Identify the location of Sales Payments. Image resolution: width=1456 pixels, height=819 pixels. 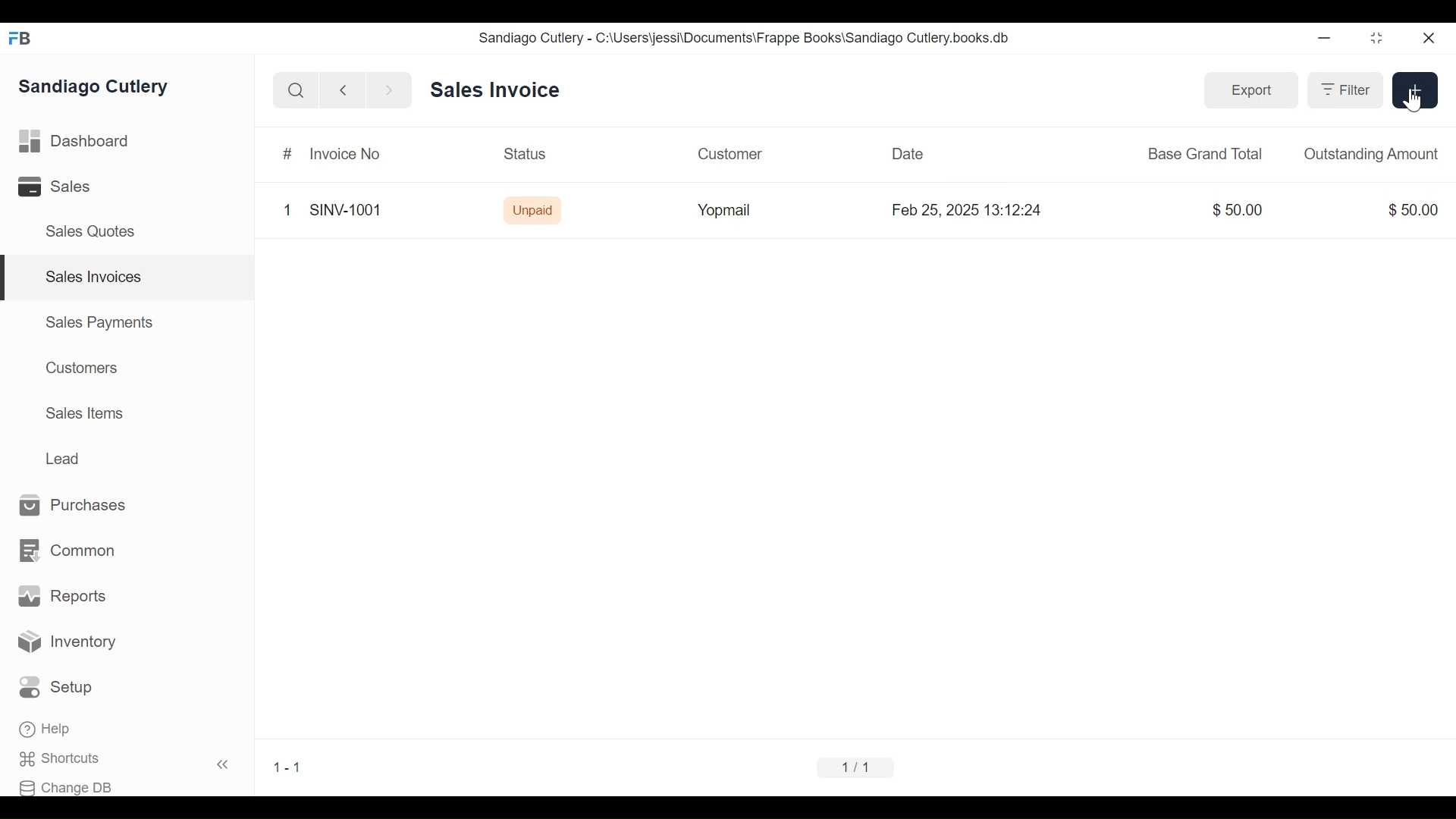
(98, 322).